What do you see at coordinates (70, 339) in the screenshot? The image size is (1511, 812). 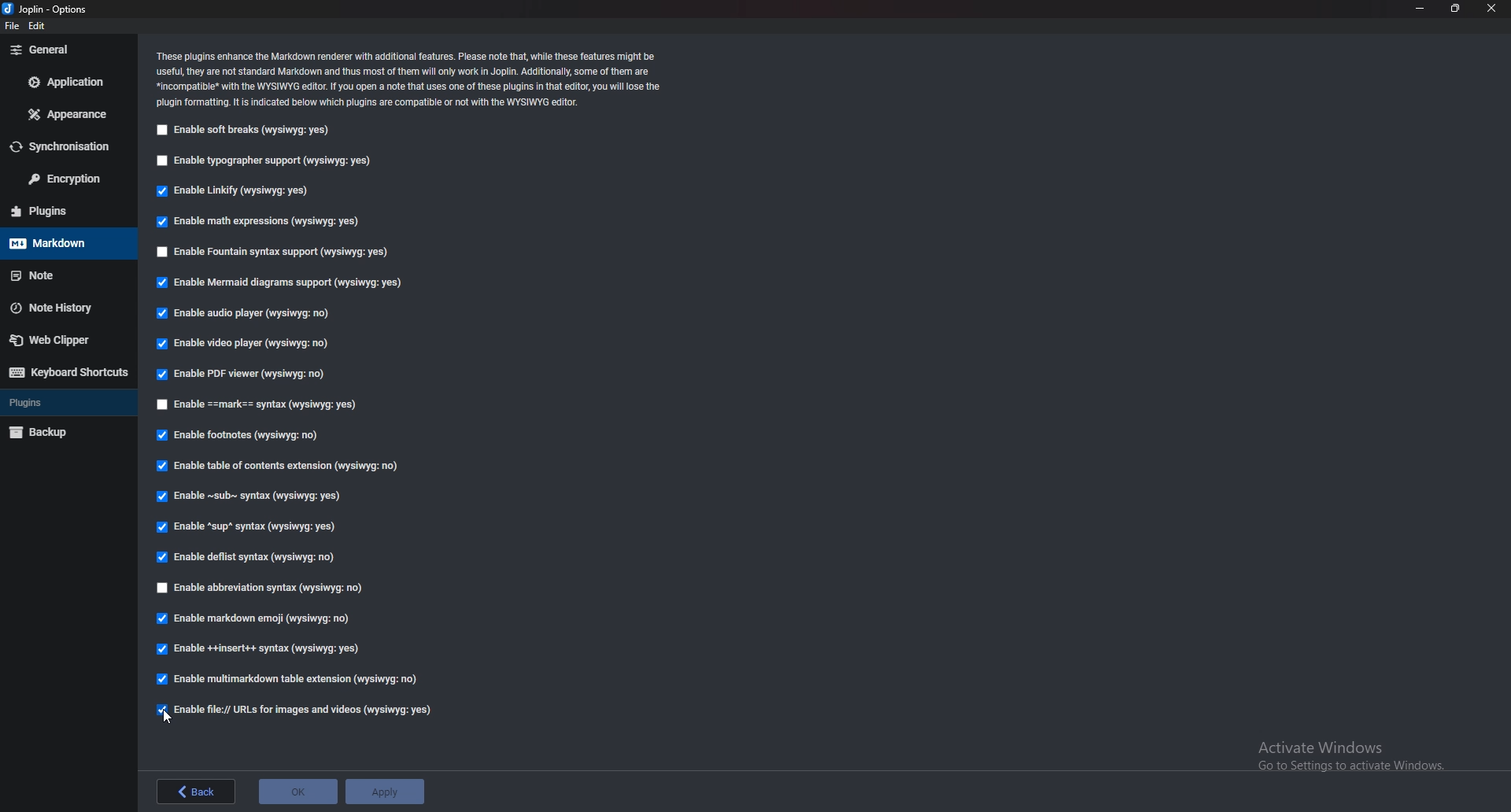 I see `Webclipper` at bounding box center [70, 339].